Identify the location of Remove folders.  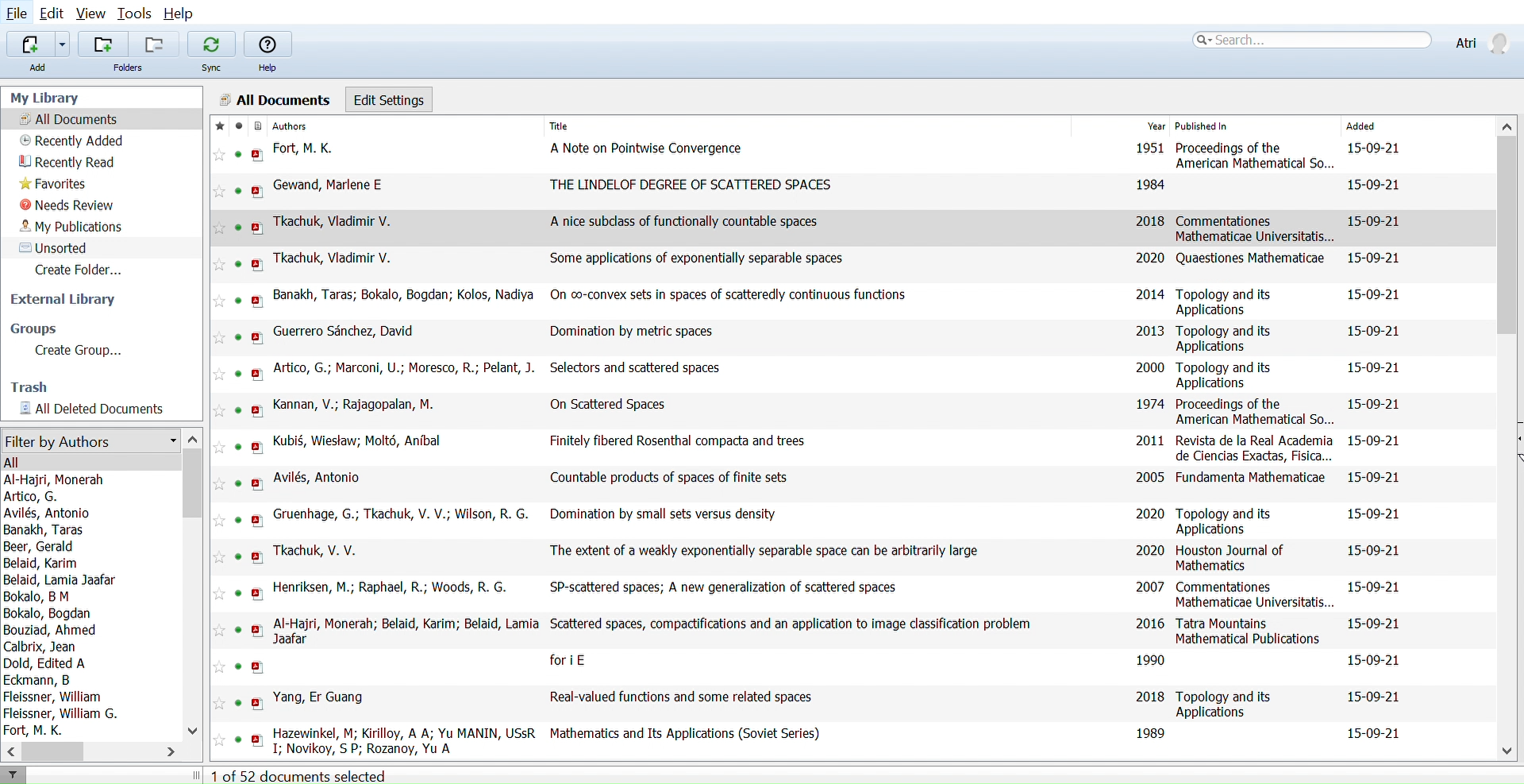
(152, 44).